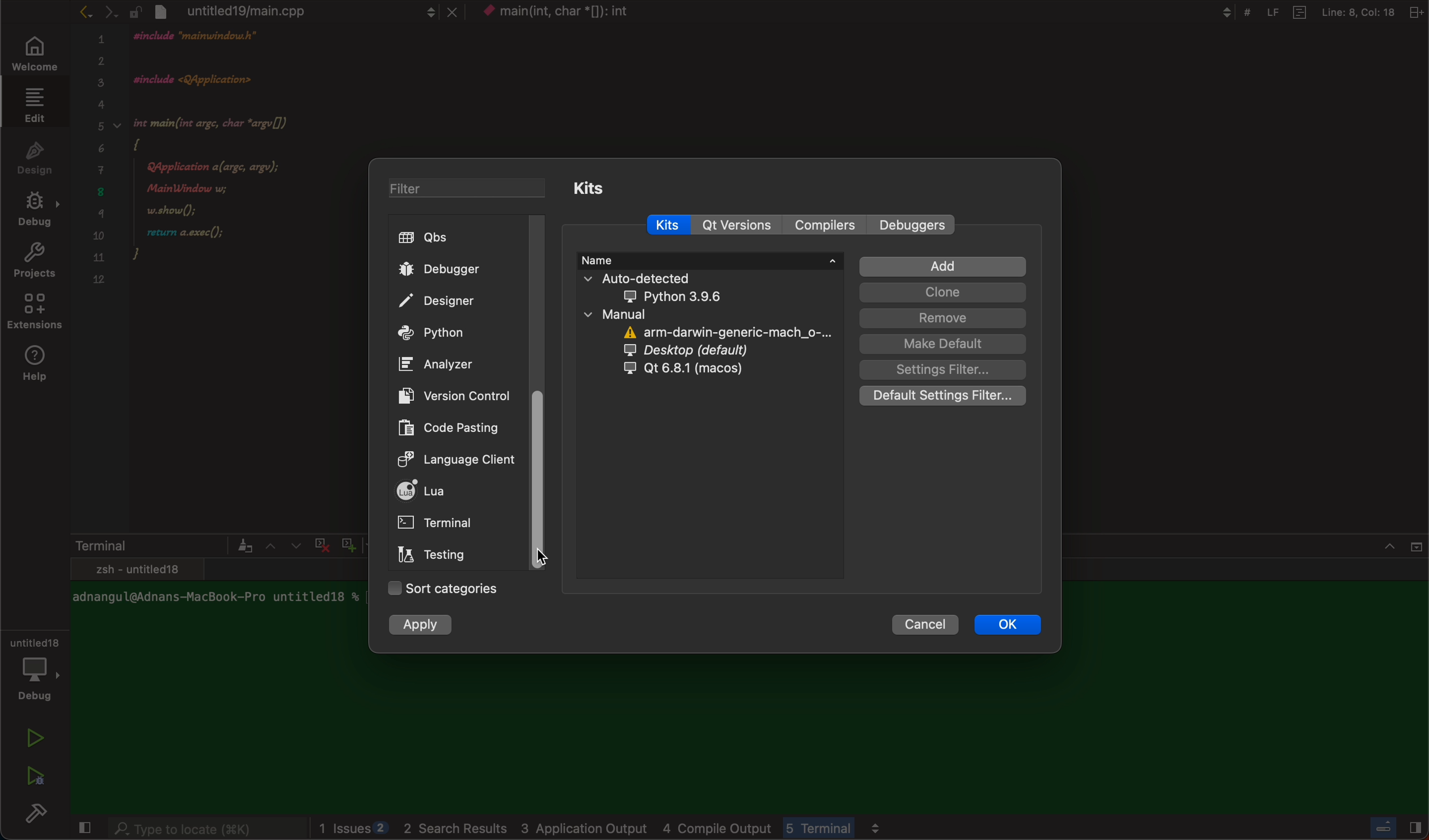 This screenshot has width=1429, height=840. I want to click on design, so click(35, 156).